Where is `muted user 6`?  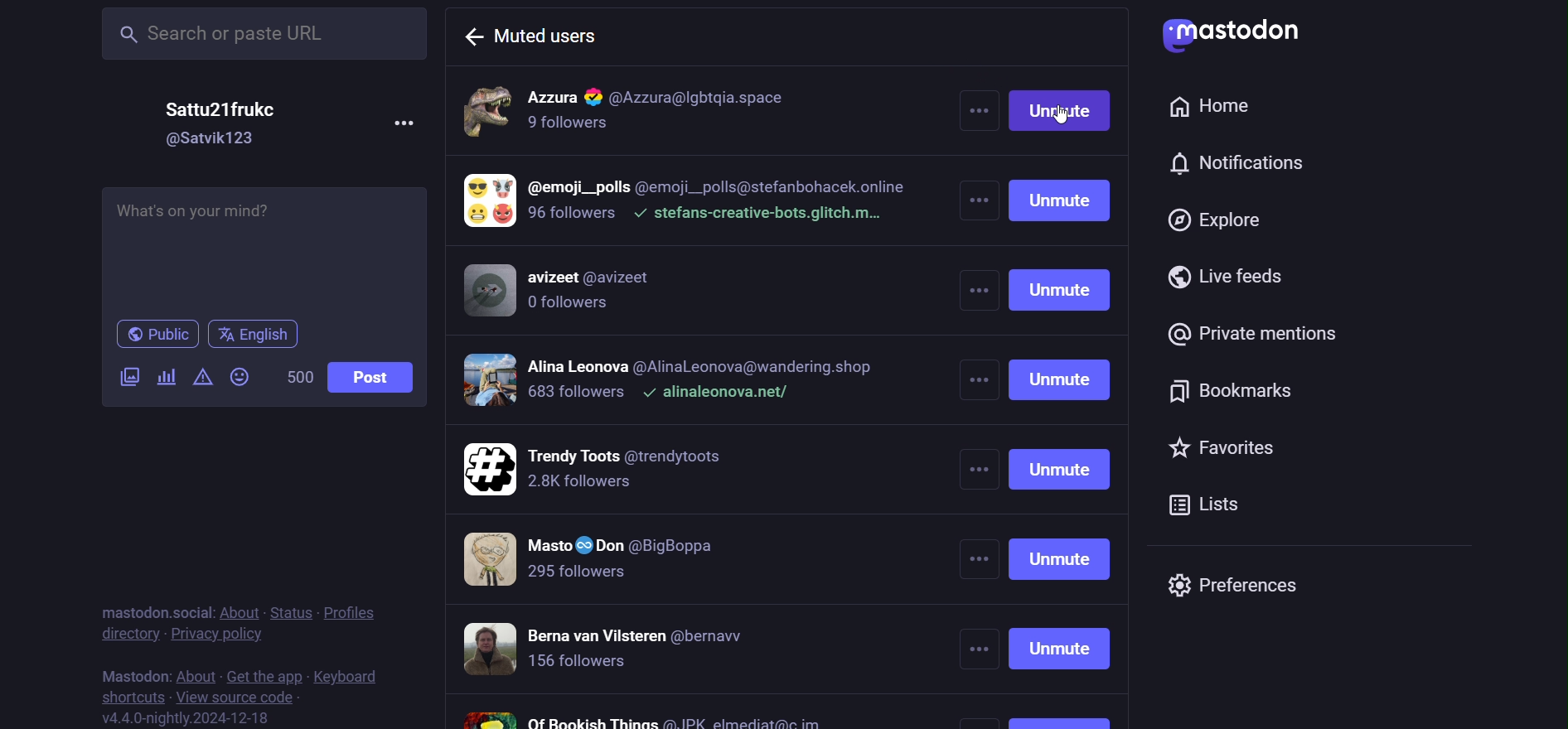 muted user 6 is located at coordinates (612, 562).